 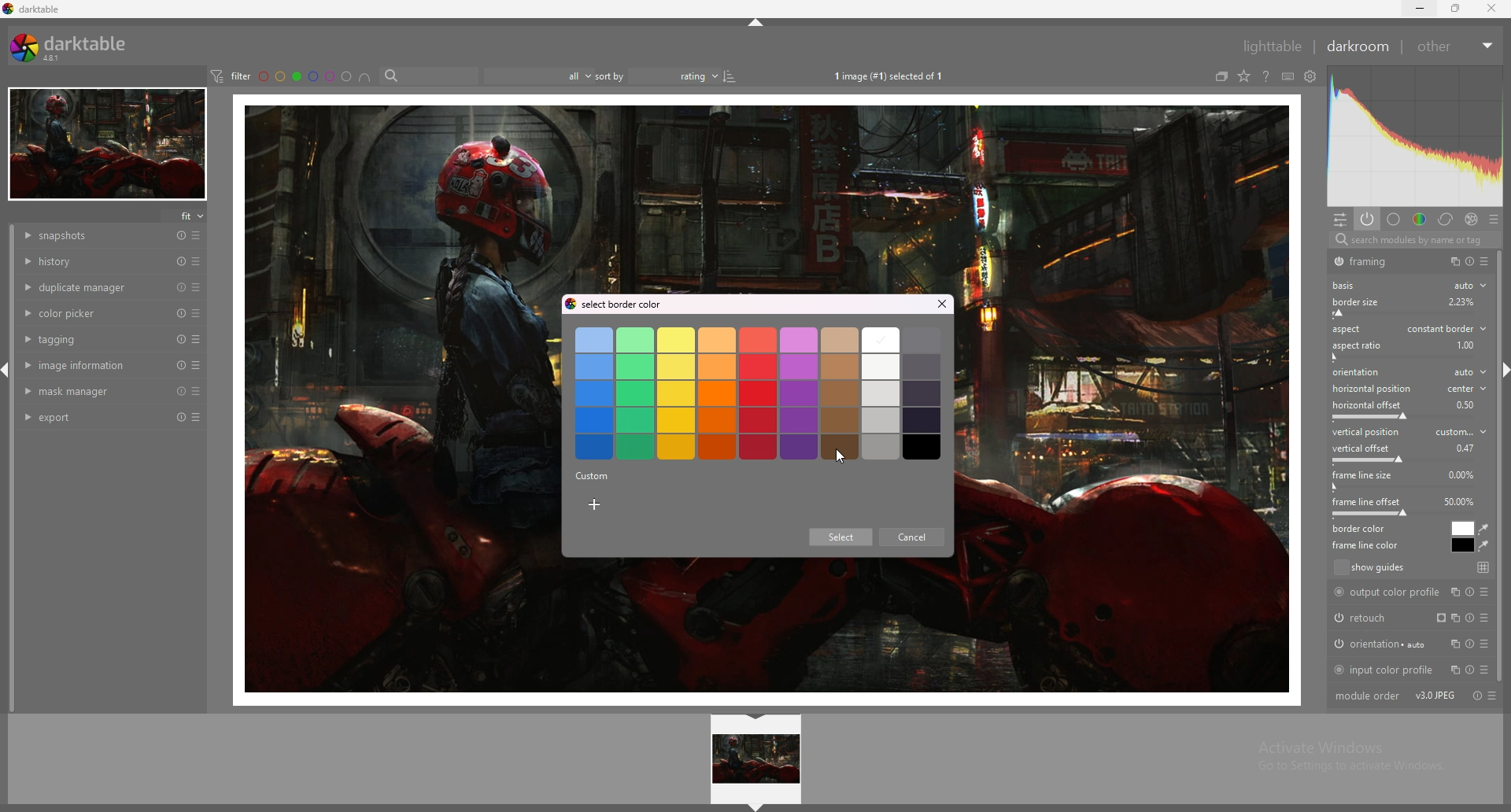 I want to click on hide, so click(x=759, y=806).